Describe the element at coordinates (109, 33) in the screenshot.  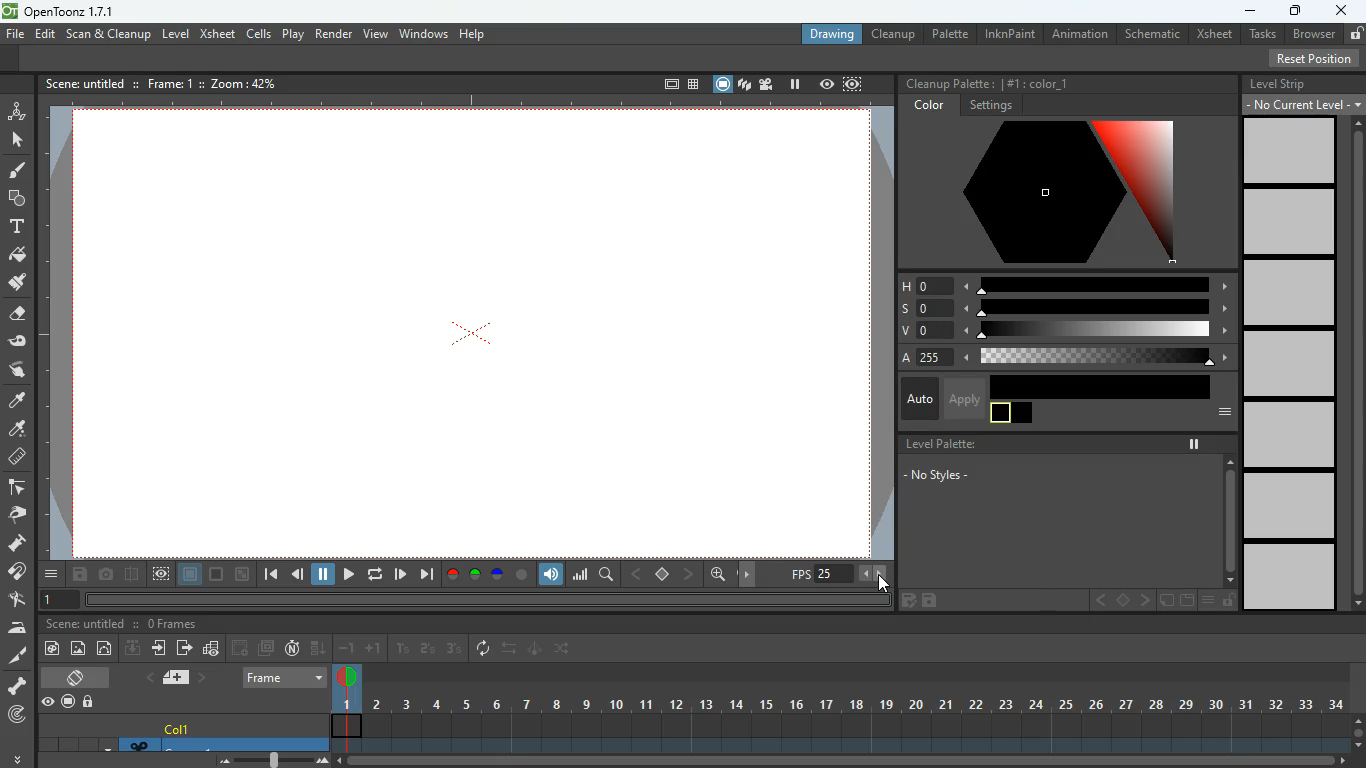
I see `scan & cleanup` at that location.